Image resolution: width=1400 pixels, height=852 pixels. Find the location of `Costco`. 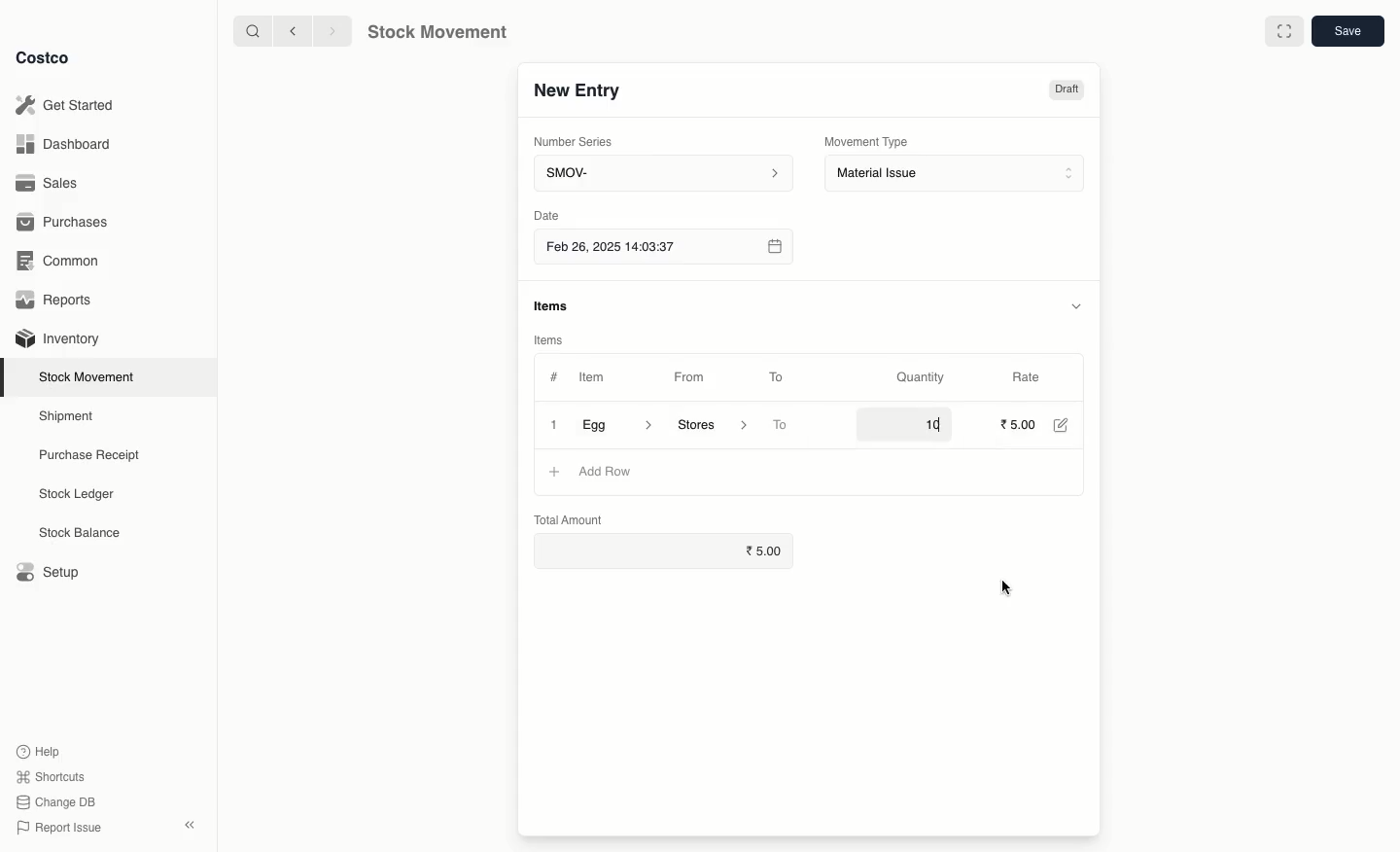

Costco is located at coordinates (44, 58).